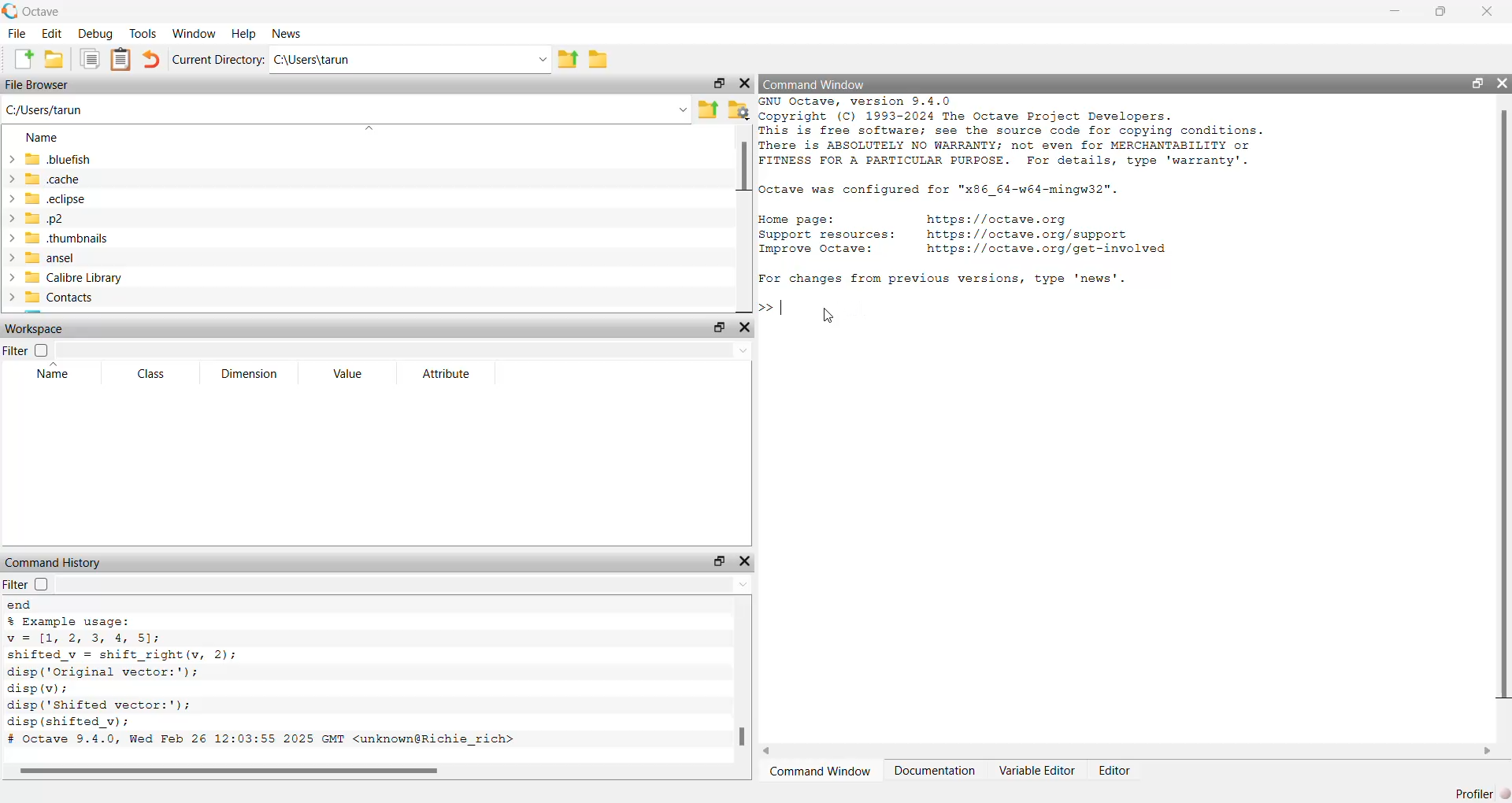 This screenshot has height=803, width=1512. Describe the element at coordinates (824, 772) in the screenshot. I see `command window` at that location.